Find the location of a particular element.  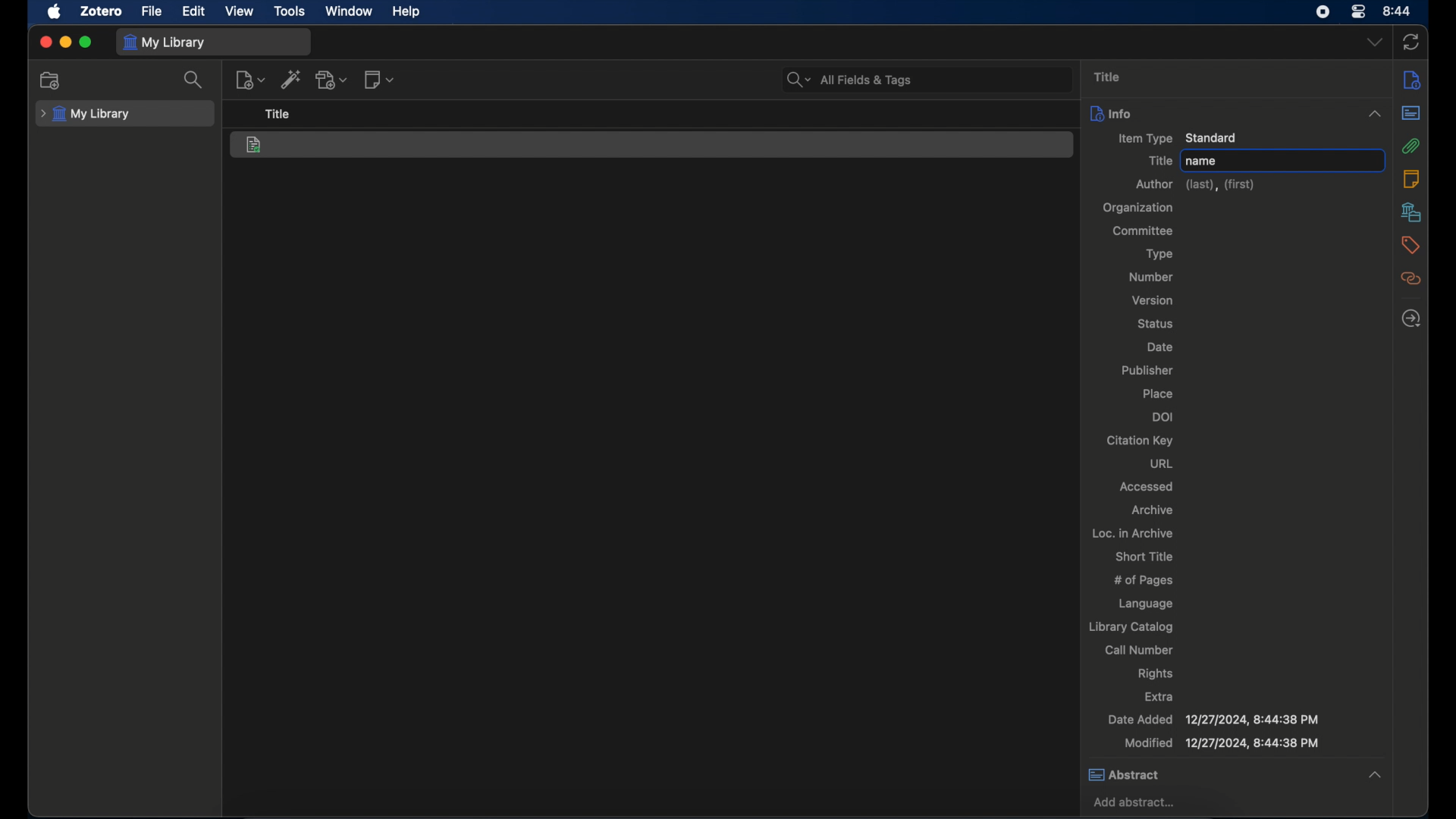

libraries is located at coordinates (1411, 212).